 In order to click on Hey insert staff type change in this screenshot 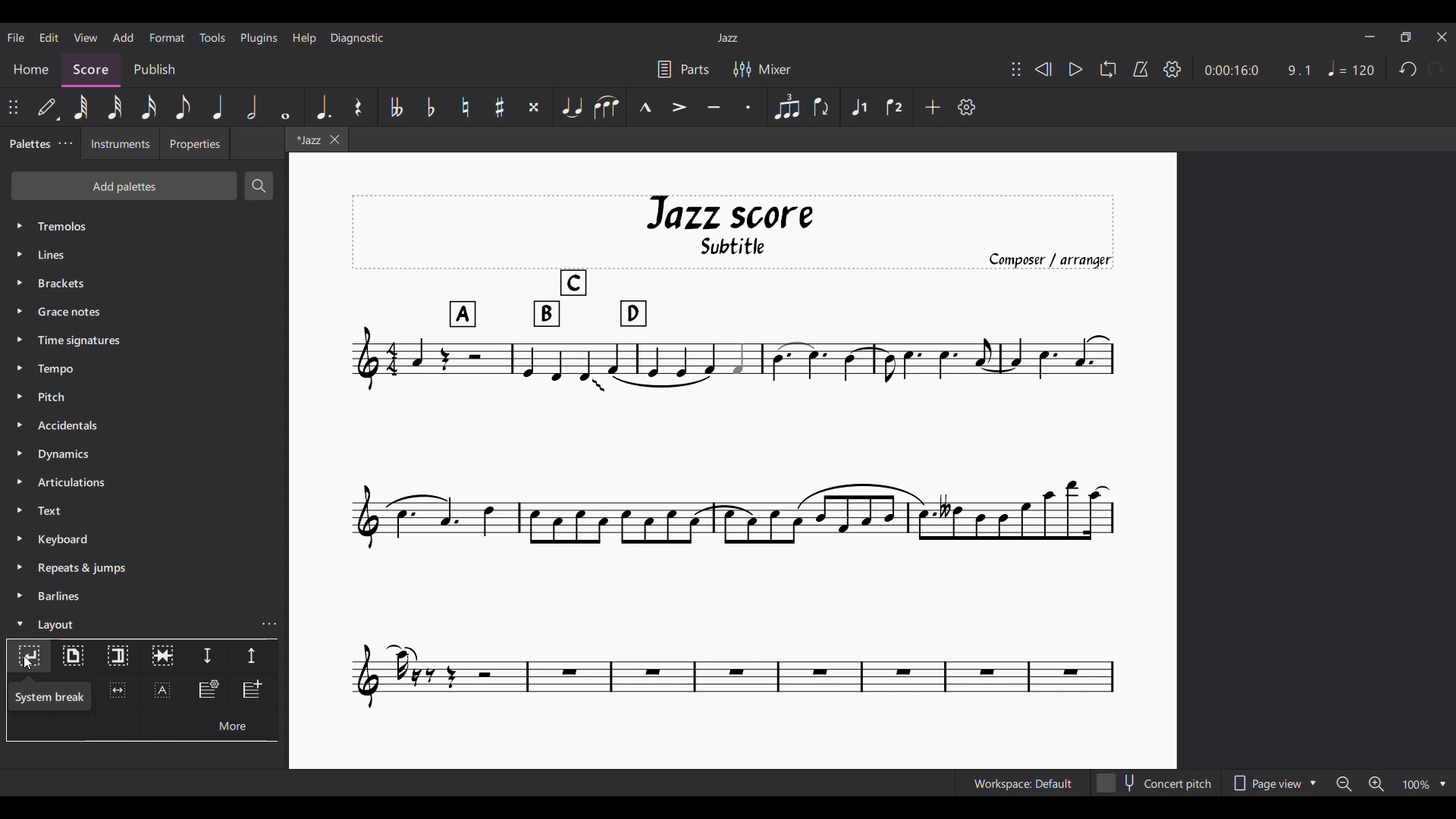, I will do `click(208, 691)`.